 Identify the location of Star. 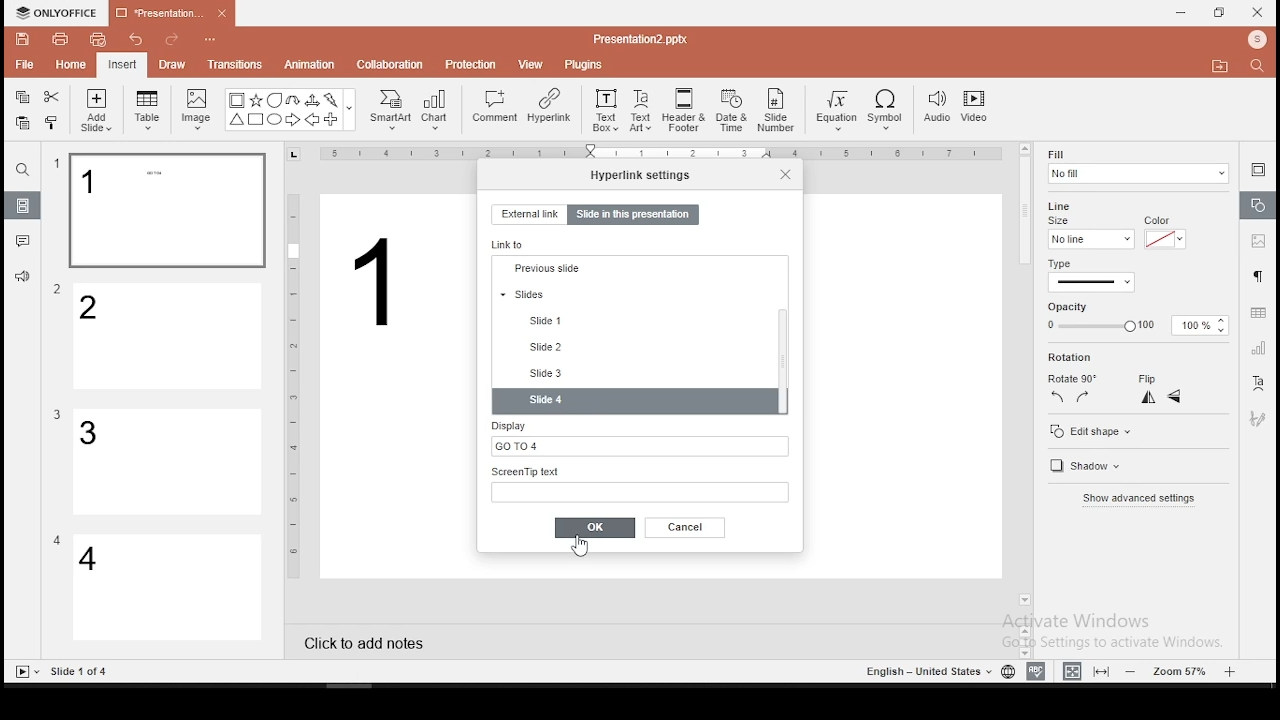
(255, 100).